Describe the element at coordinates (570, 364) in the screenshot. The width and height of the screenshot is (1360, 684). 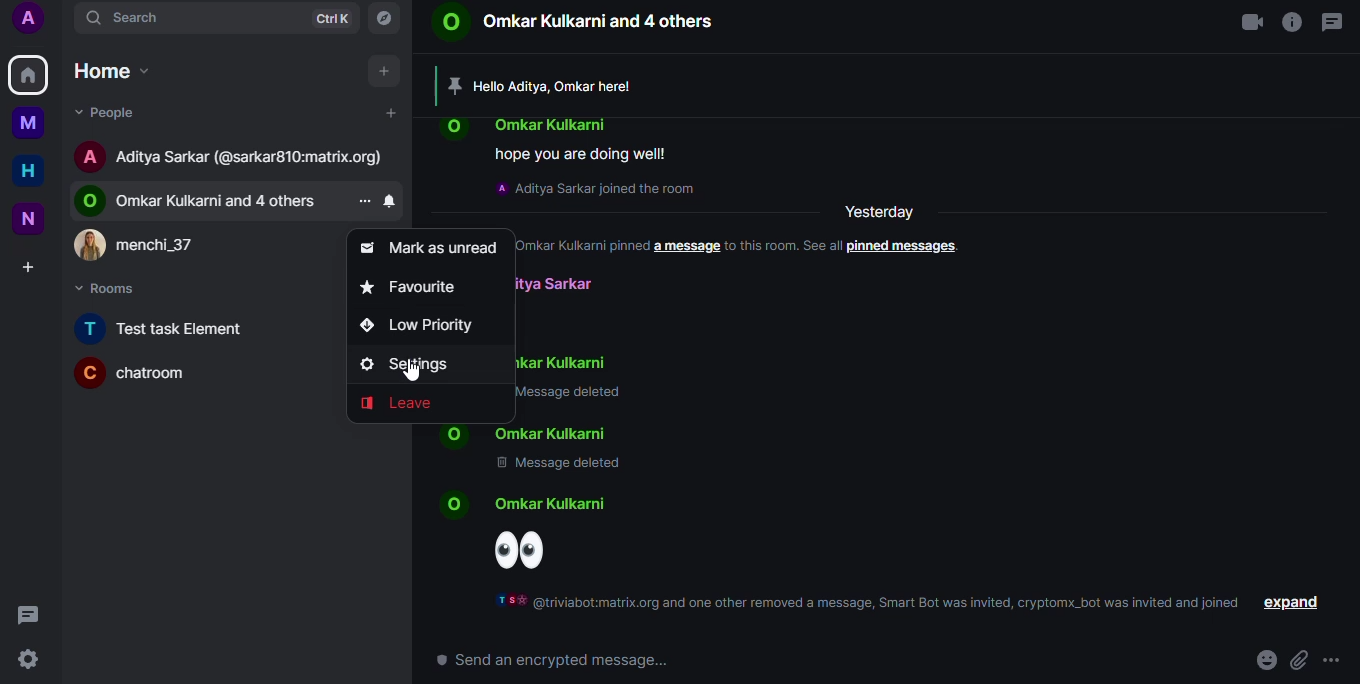
I see `O  Omkar Kulkarni` at that location.